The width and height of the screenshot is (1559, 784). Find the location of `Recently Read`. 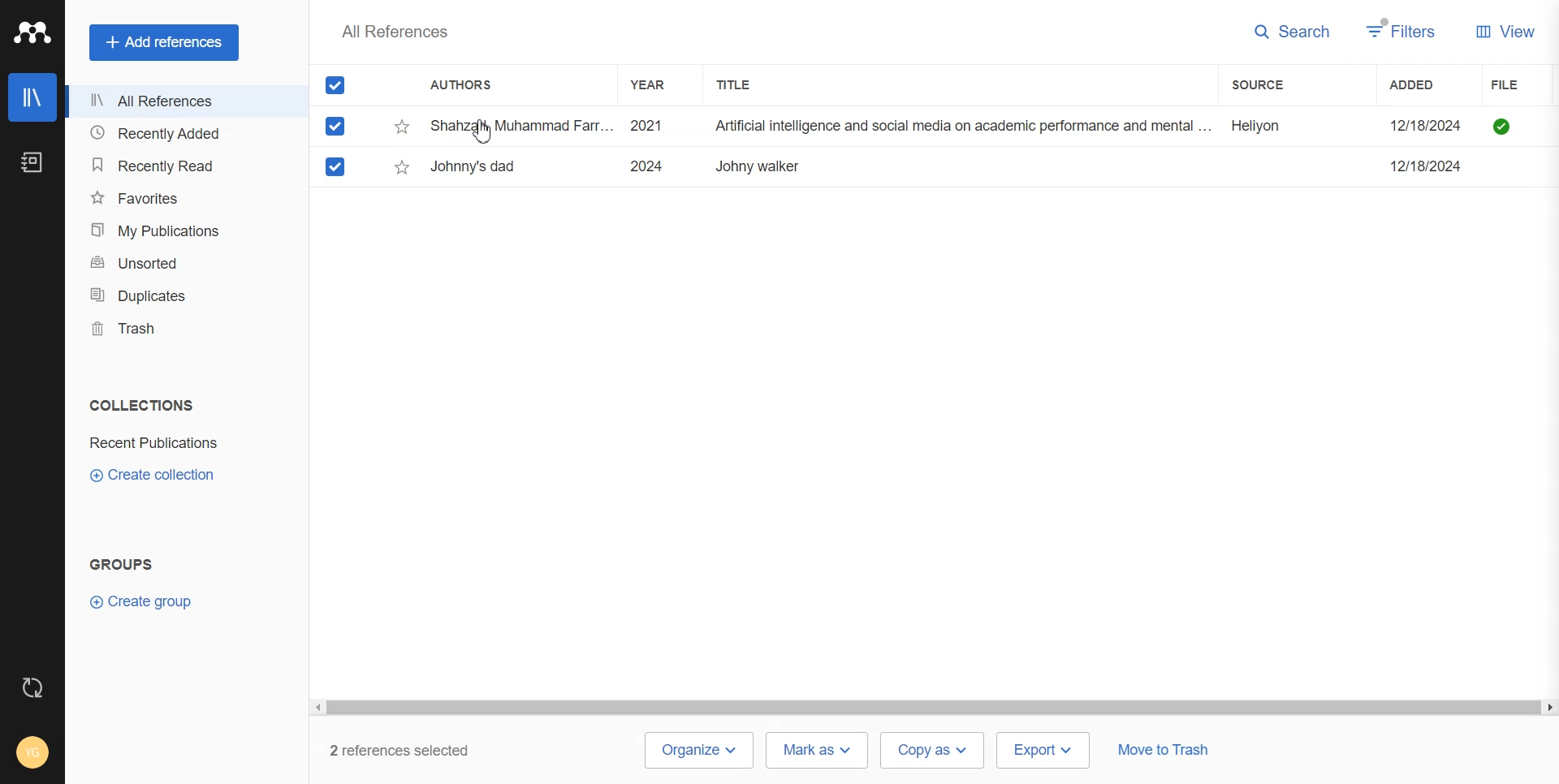

Recently Read is located at coordinates (182, 166).